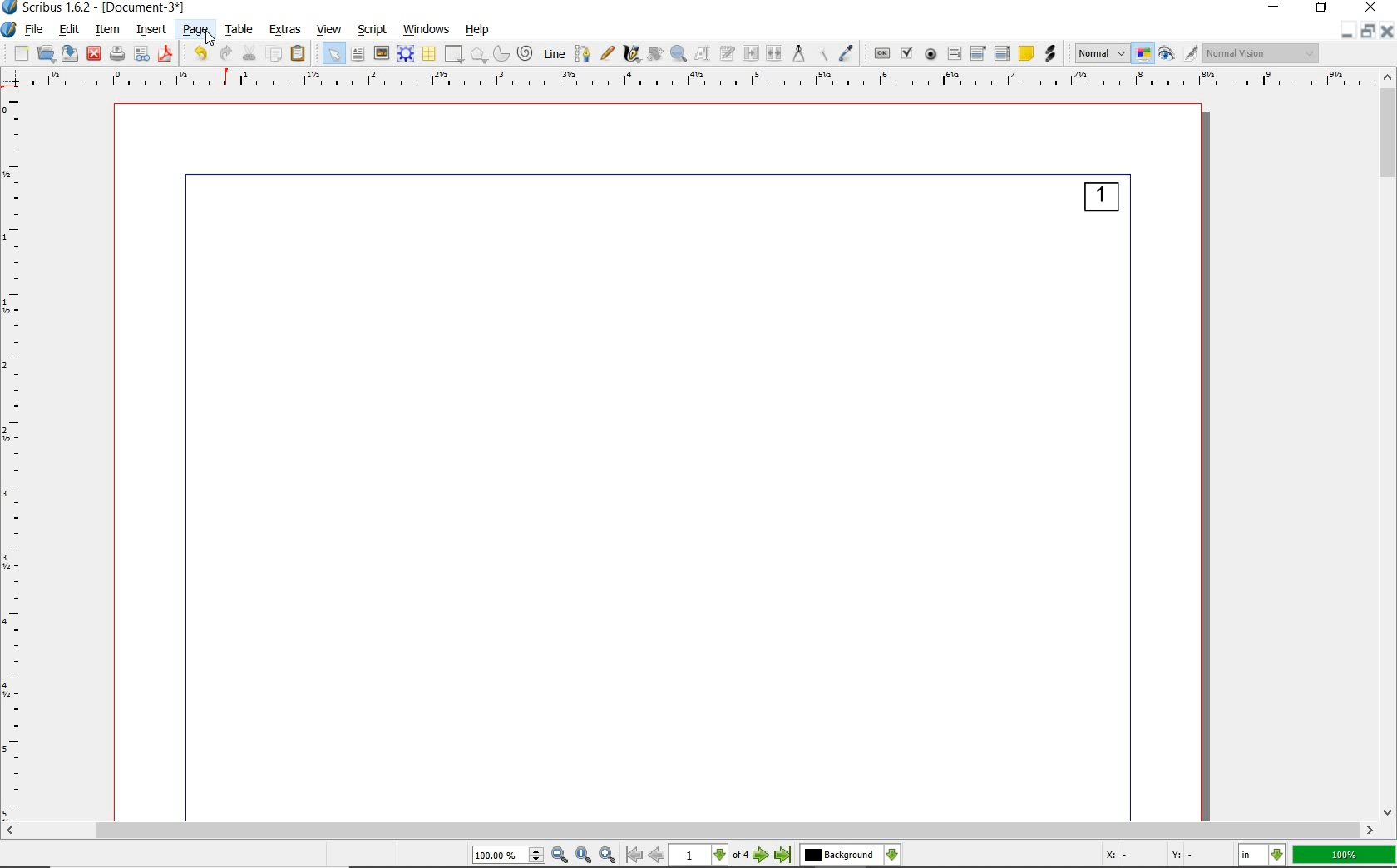 The height and width of the screenshot is (868, 1397). What do you see at coordinates (702, 54) in the screenshot?
I see `edit contents of frame` at bounding box center [702, 54].